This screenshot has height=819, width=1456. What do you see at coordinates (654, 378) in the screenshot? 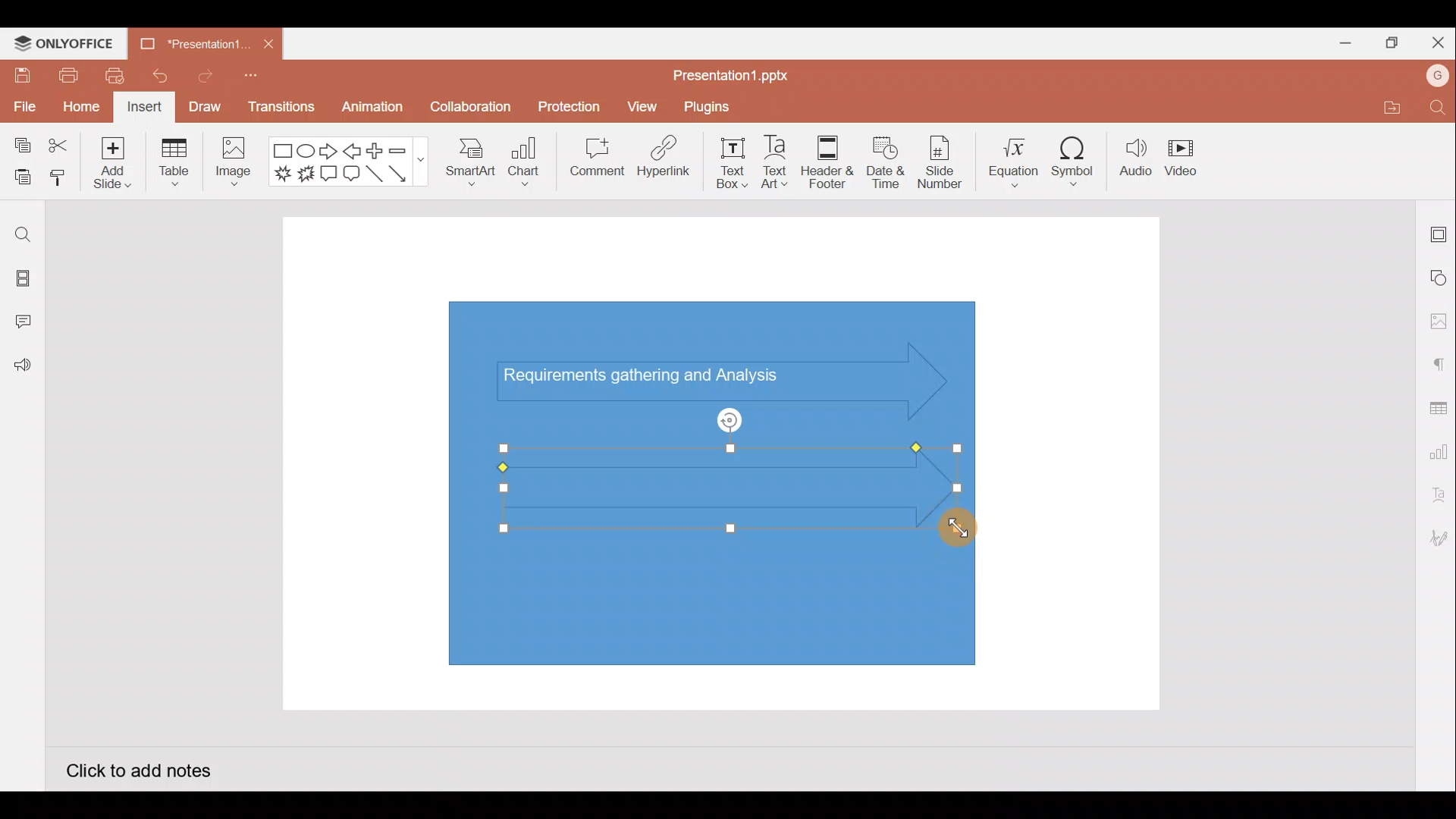
I see `Text (Requirements gathering and Analysis) in arrow shape` at bounding box center [654, 378].